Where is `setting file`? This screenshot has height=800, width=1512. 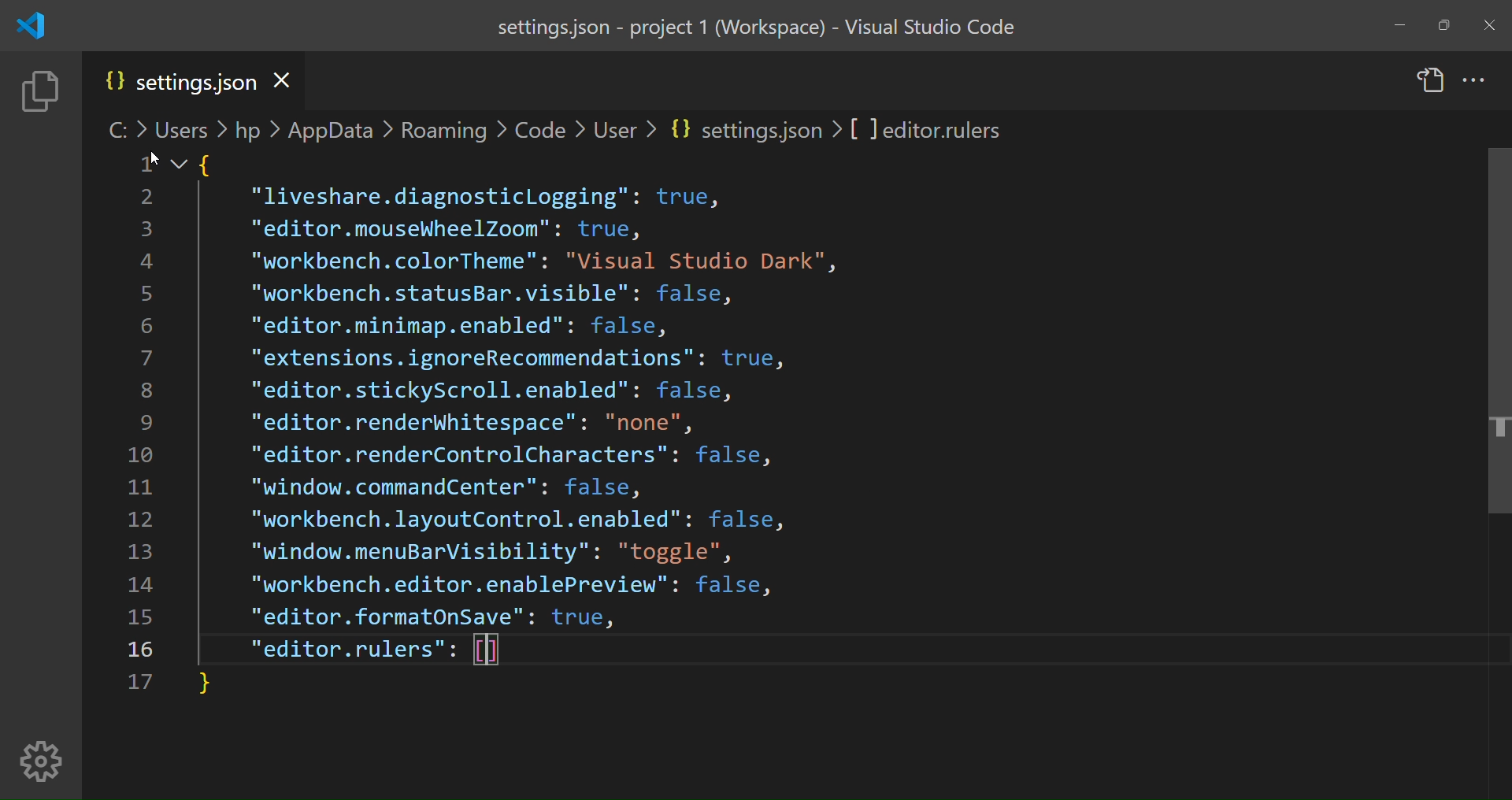 setting file is located at coordinates (178, 83).